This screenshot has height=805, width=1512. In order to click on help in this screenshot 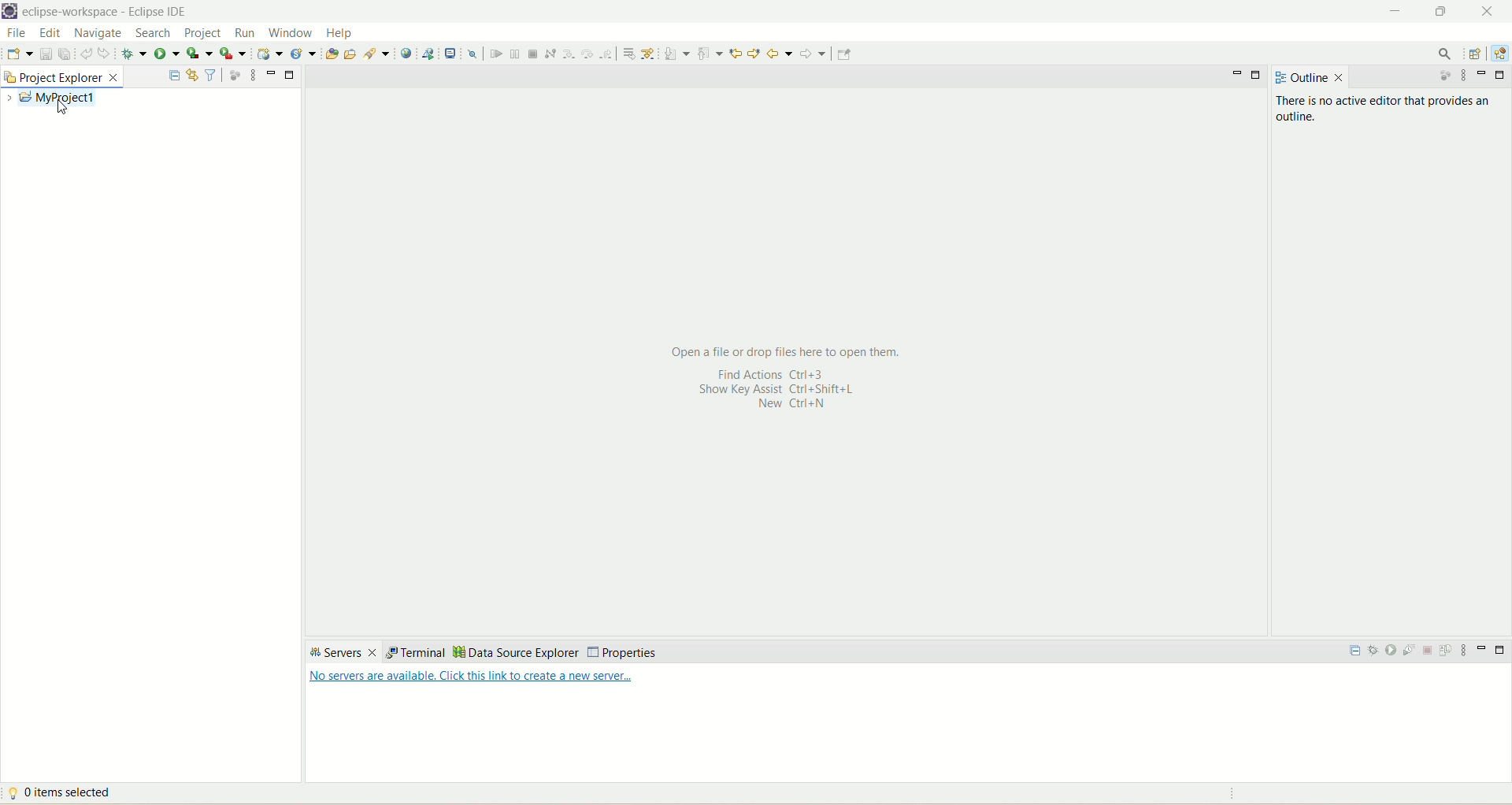, I will do `click(338, 33)`.